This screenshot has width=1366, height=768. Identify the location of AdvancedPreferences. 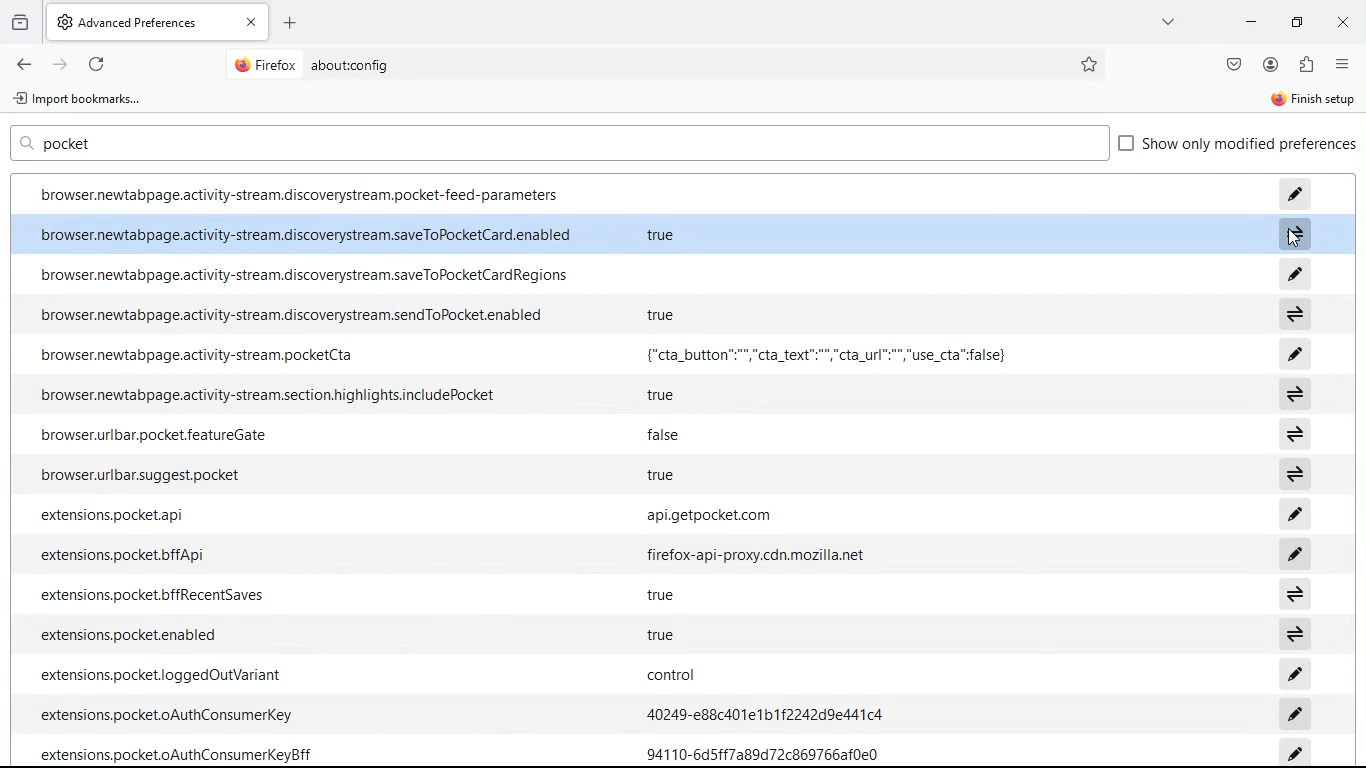
(159, 23).